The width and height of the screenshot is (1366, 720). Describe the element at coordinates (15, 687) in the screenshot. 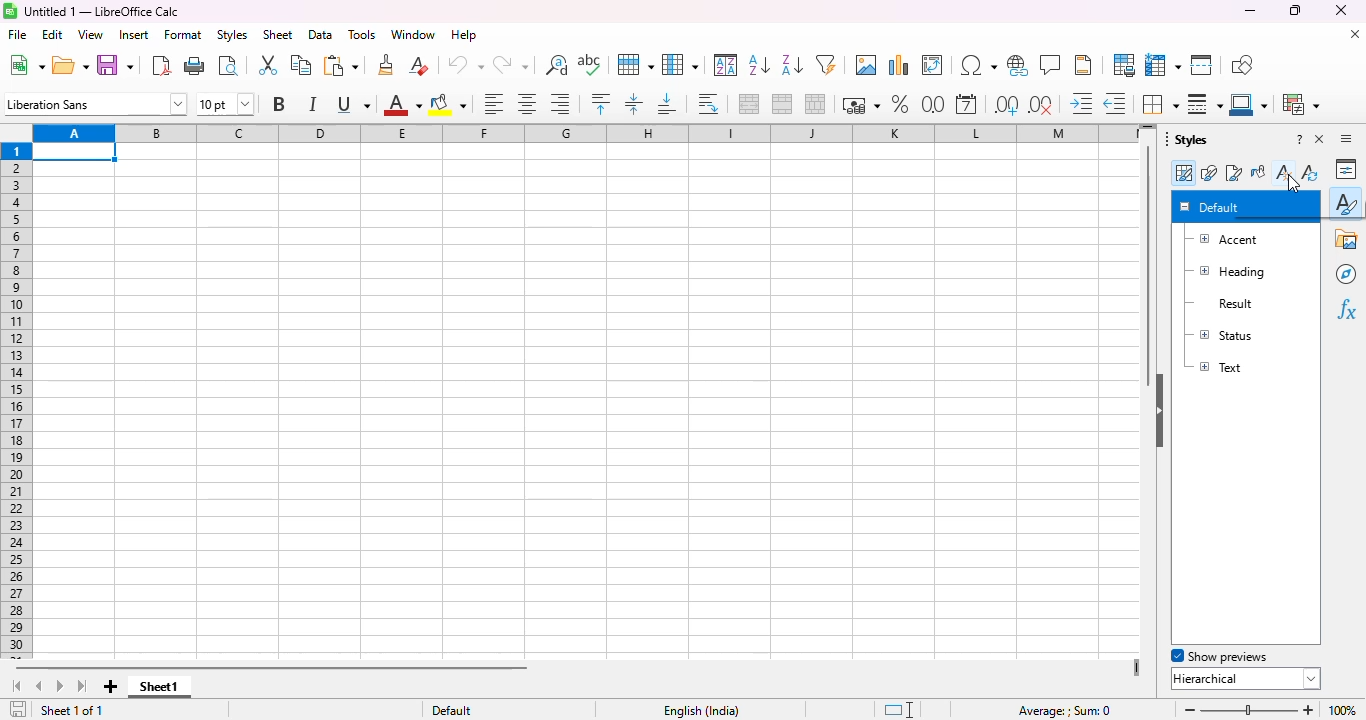

I see `scroll to first sheet` at that location.